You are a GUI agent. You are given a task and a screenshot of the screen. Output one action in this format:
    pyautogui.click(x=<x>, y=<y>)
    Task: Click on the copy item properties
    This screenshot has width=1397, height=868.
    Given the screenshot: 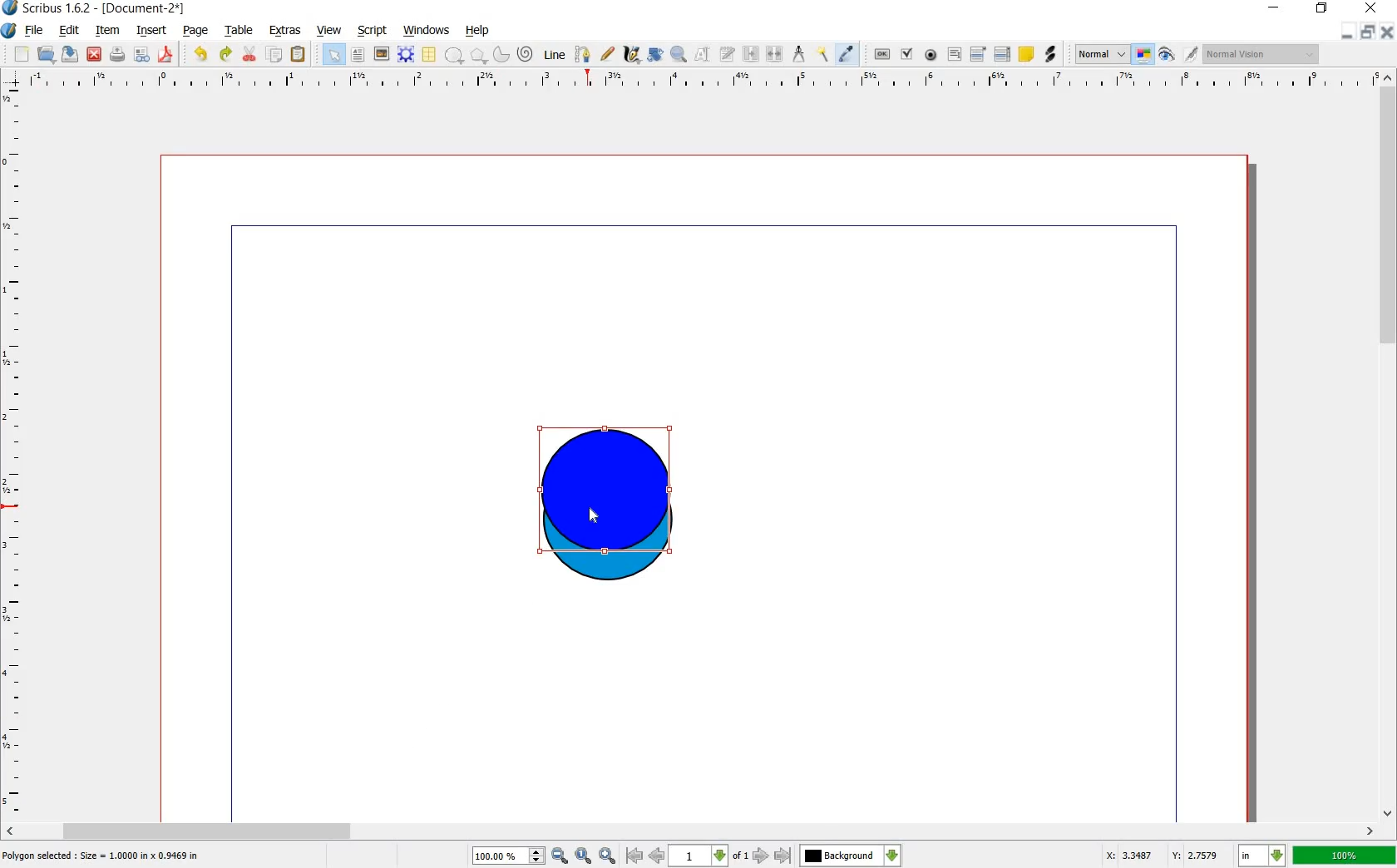 What is the action you would take?
    pyautogui.click(x=823, y=56)
    